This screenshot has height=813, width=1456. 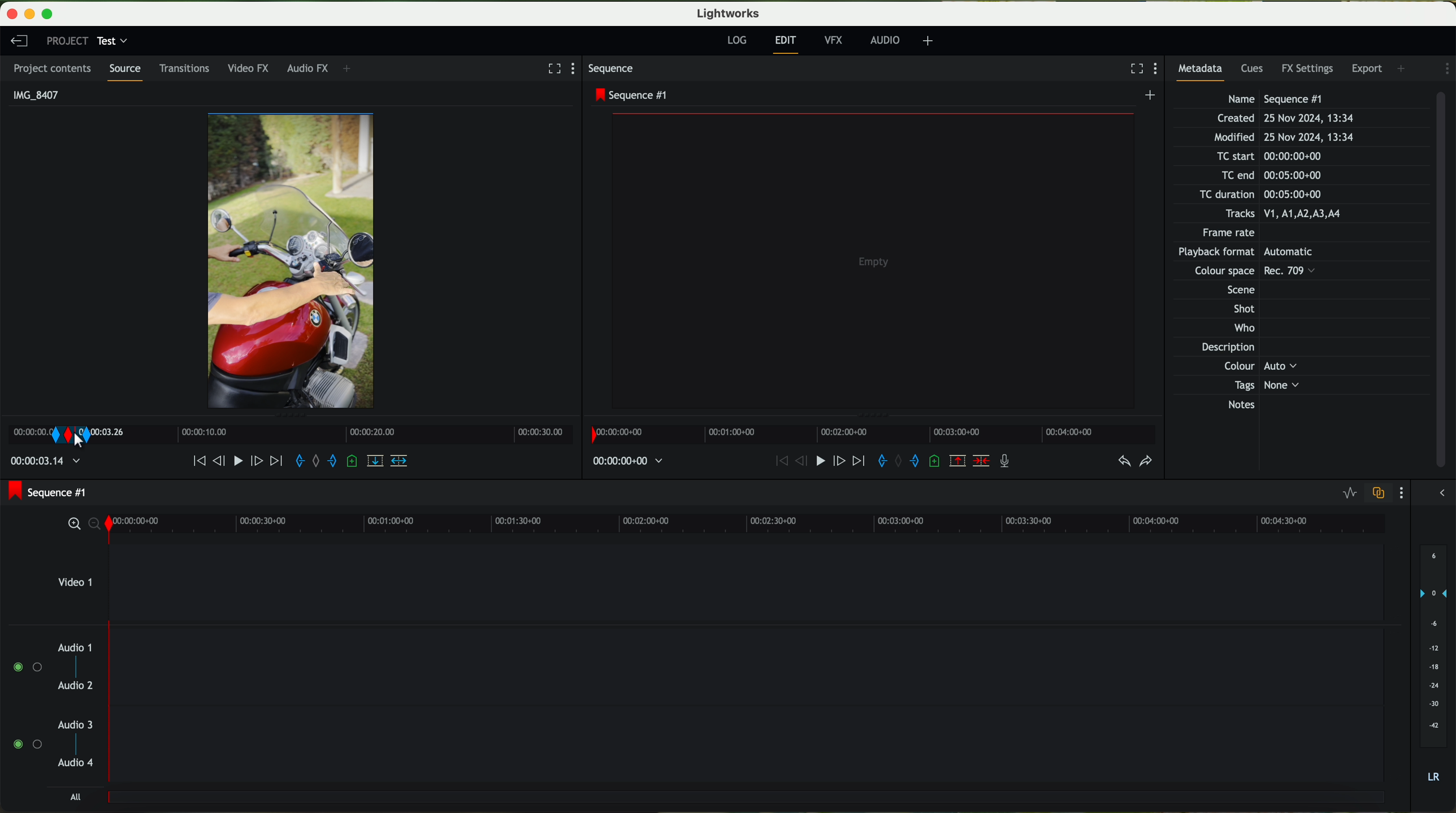 What do you see at coordinates (1282, 138) in the screenshot?
I see `Modified` at bounding box center [1282, 138].